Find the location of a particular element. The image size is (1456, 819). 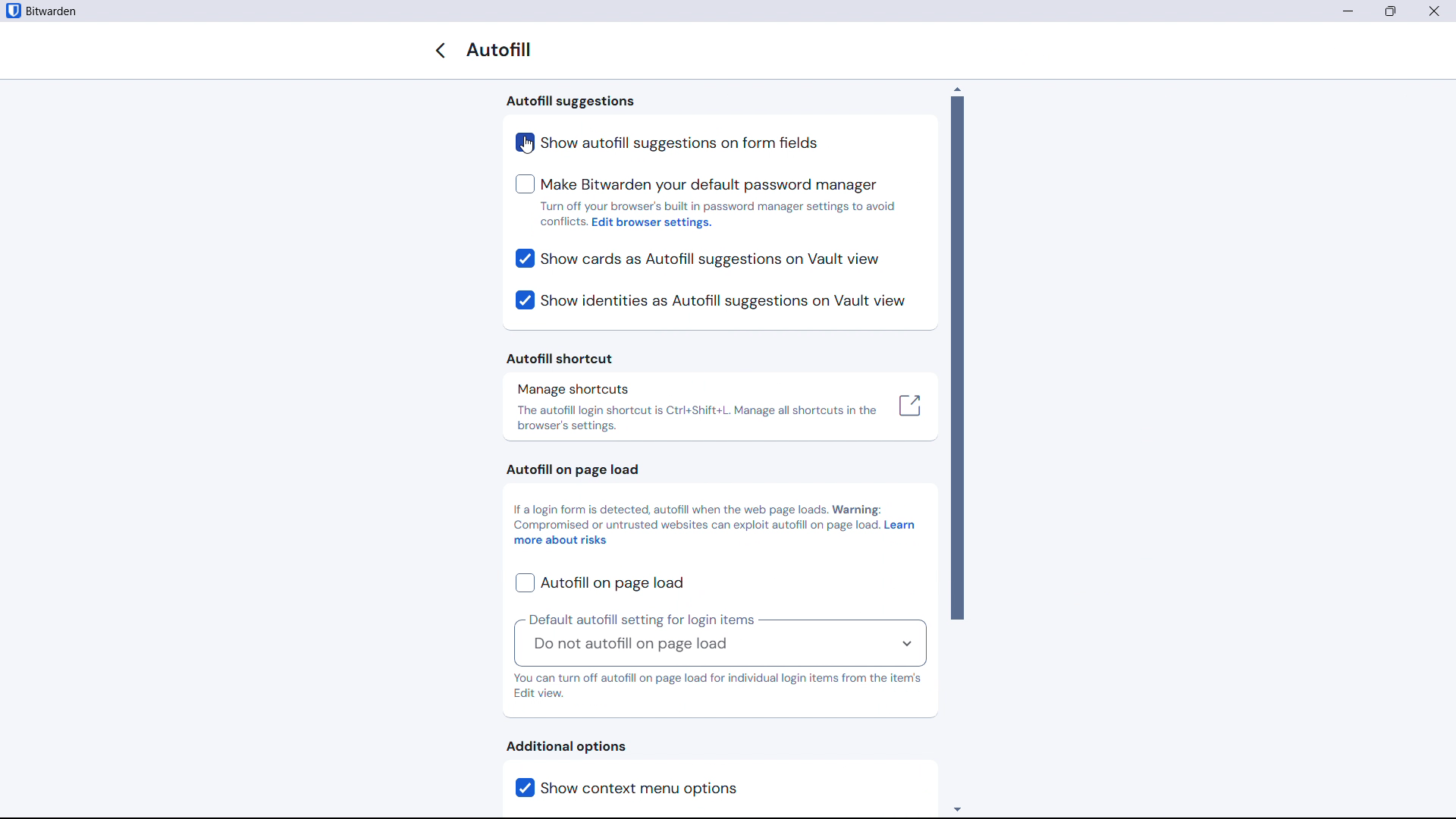

autofill is located at coordinates (503, 50).